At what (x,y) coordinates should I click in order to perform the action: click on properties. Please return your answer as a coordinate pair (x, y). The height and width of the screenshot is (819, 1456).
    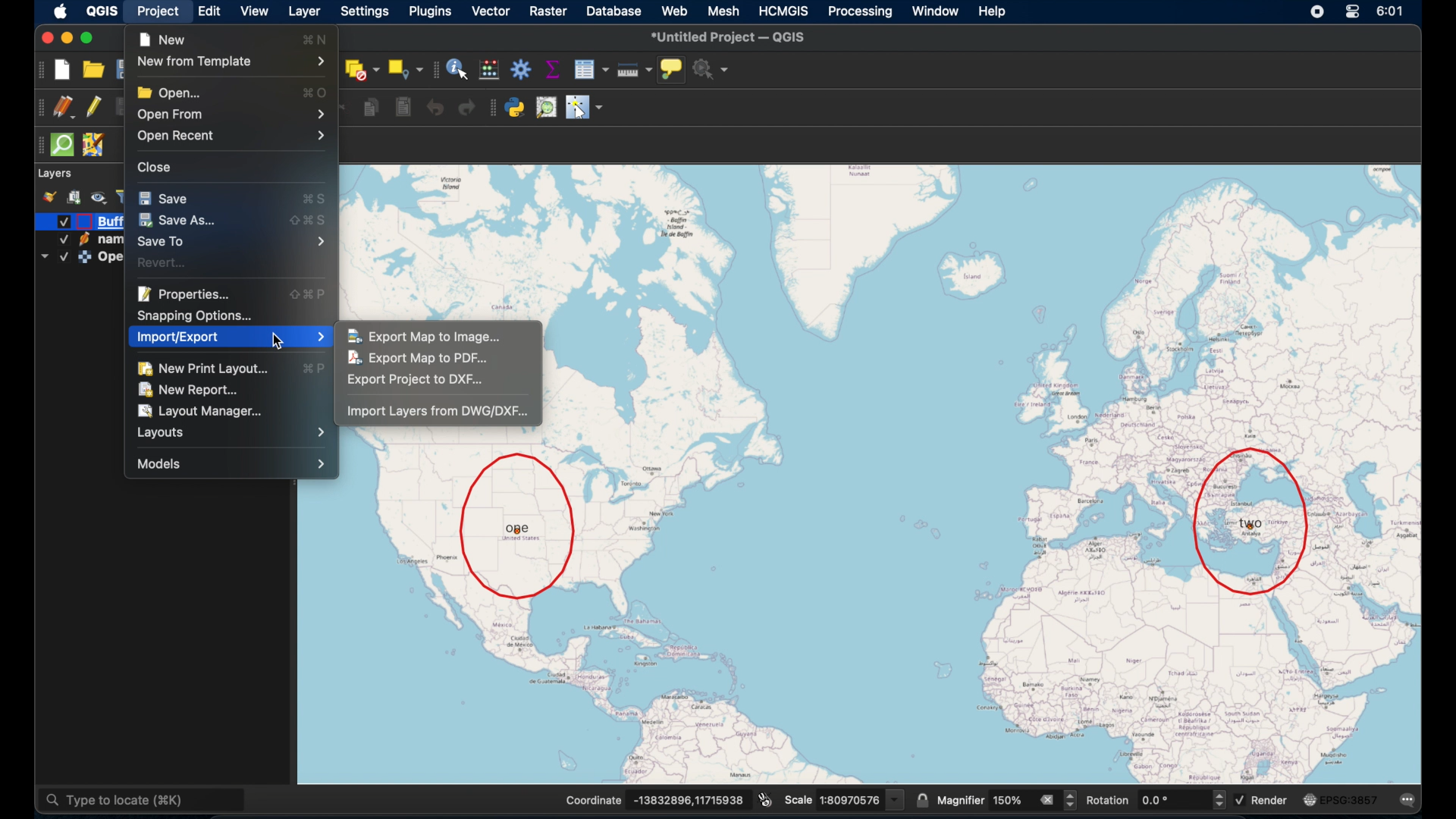
    Looking at the image, I should click on (187, 294).